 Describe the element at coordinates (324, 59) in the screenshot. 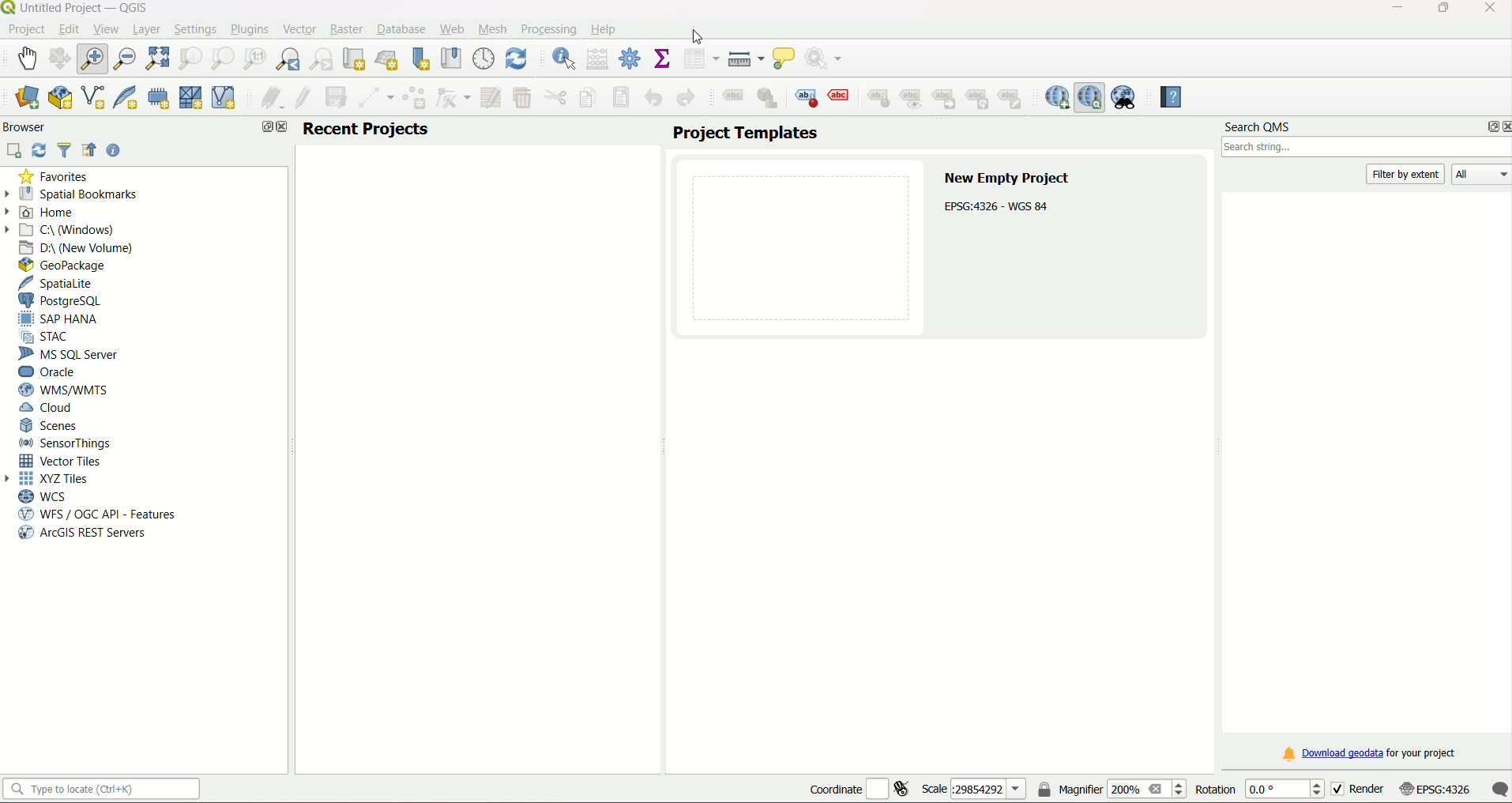

I see `zoom next` at that location.